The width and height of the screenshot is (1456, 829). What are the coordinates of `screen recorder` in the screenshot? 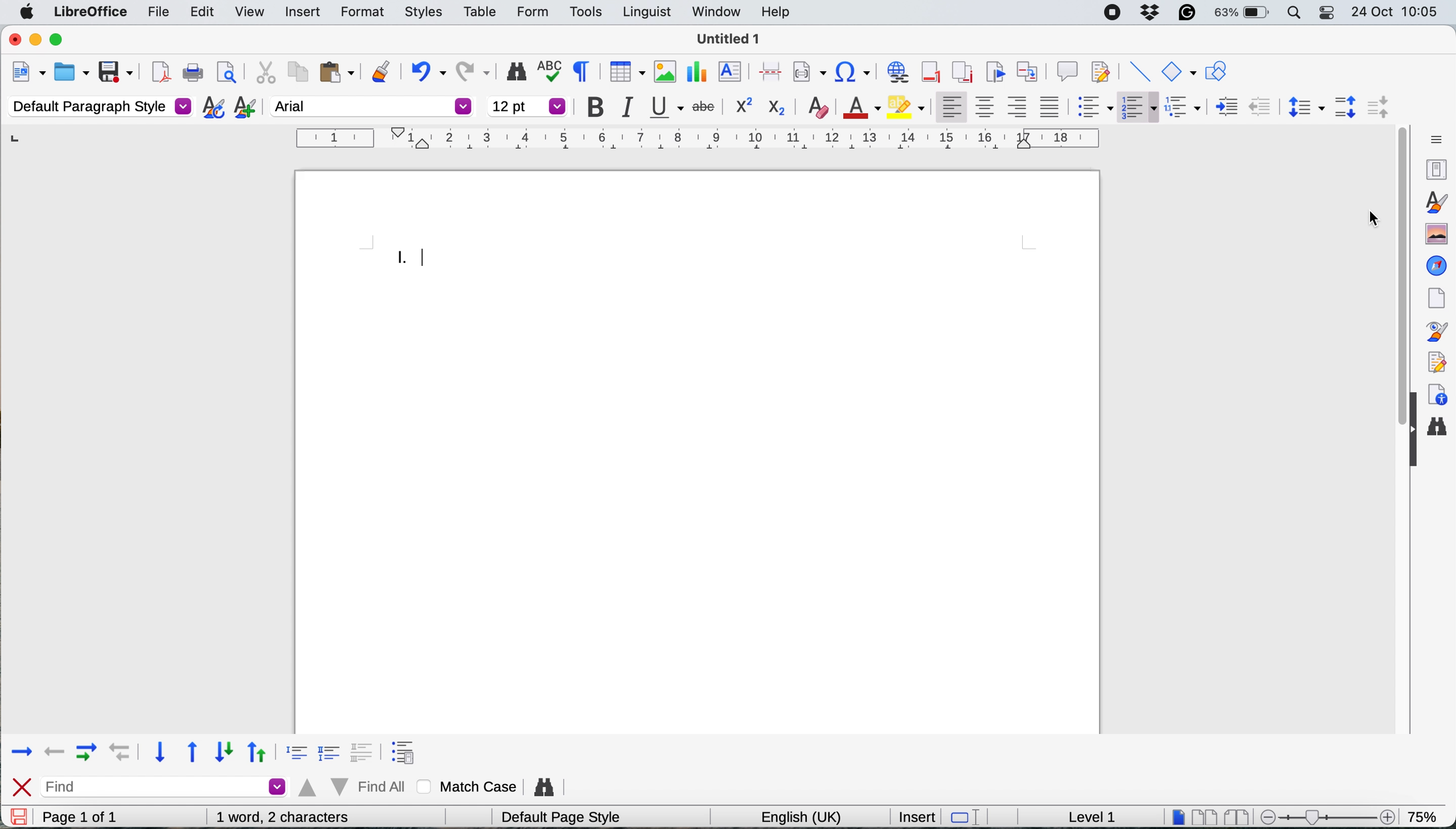 It's located at (1114, 13).